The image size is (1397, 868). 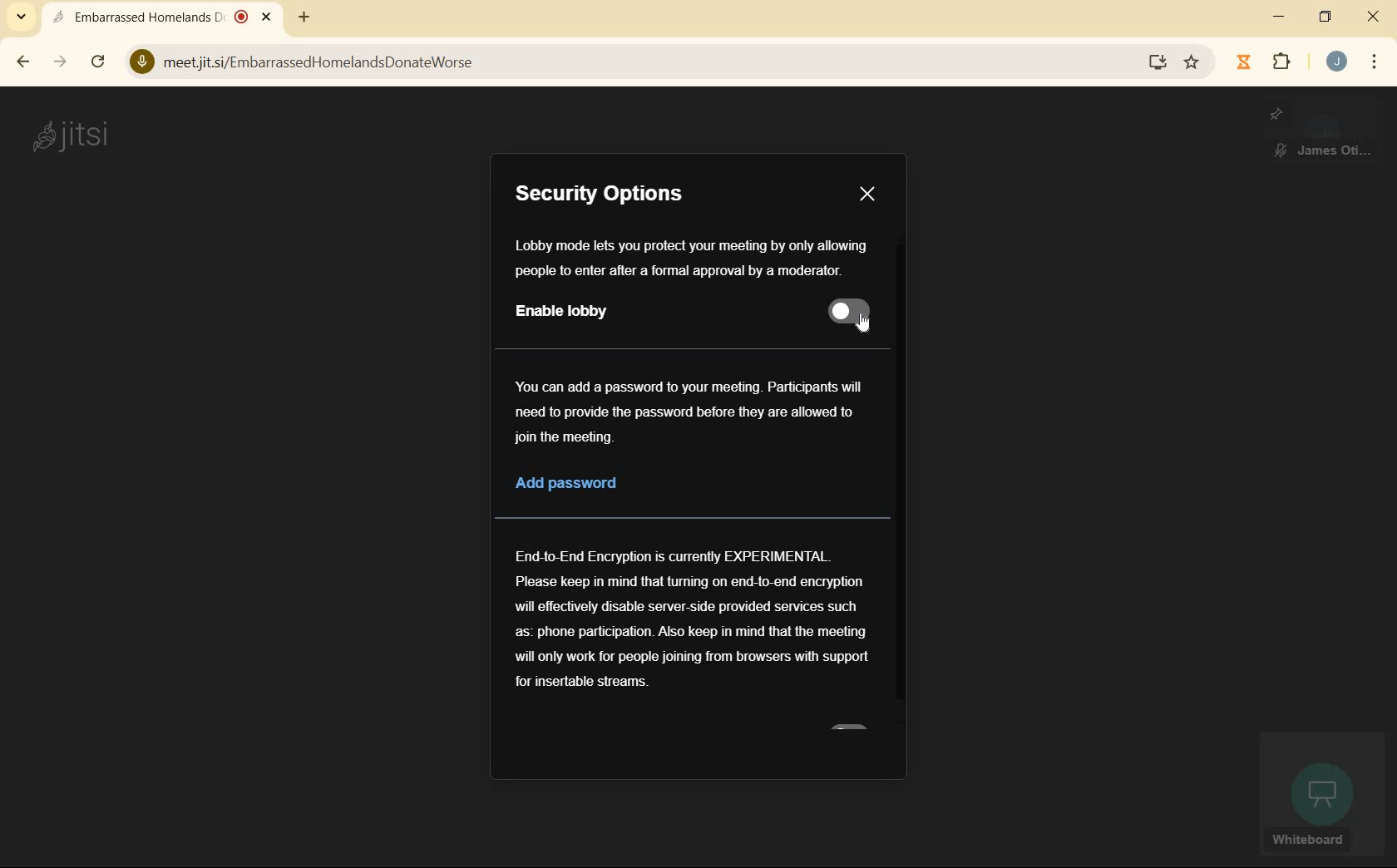 I want to click on minimize, so click(x=1281, y=18).